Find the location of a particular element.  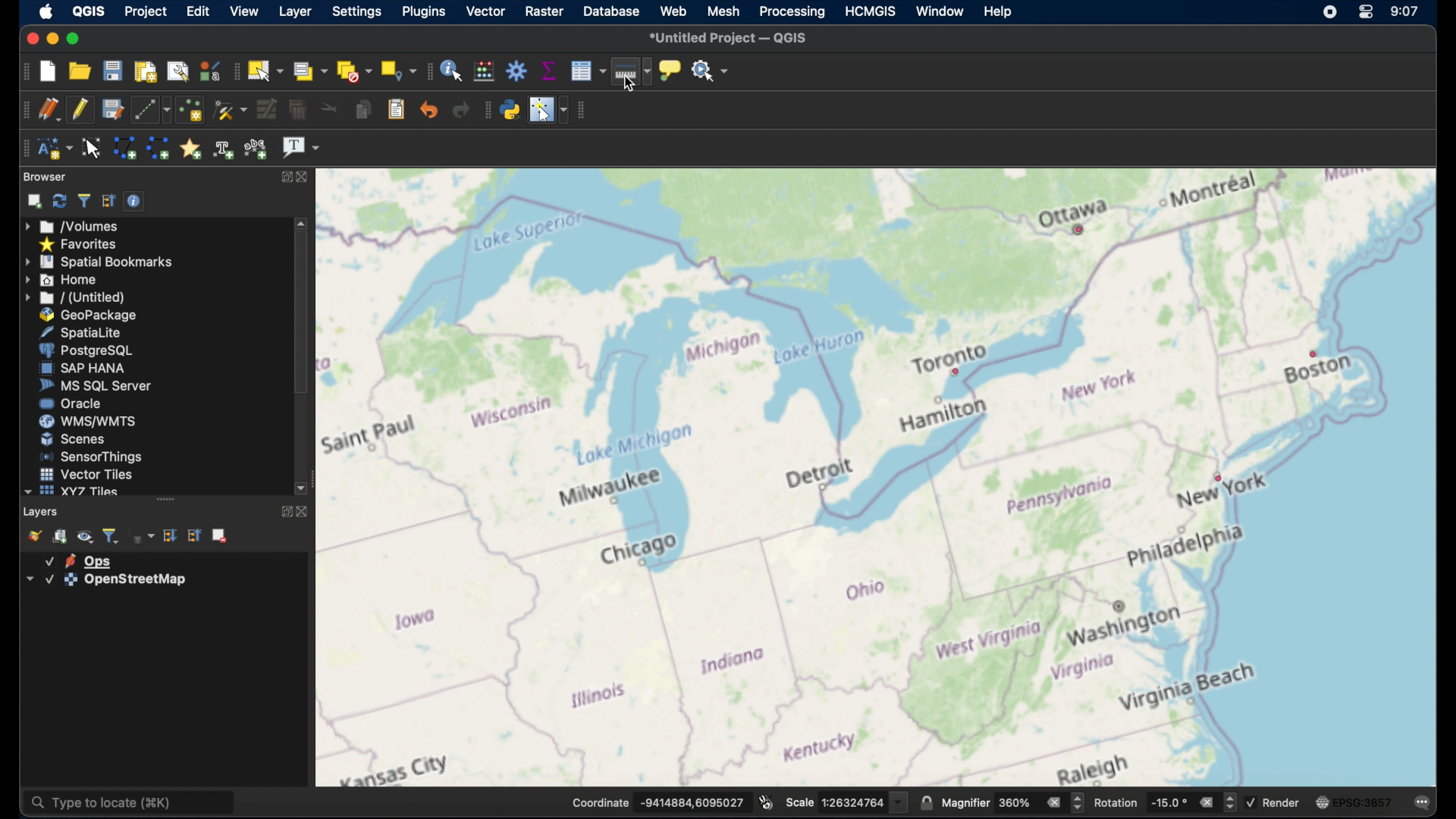

attributes toolbar is located at coordinates (428, 71).